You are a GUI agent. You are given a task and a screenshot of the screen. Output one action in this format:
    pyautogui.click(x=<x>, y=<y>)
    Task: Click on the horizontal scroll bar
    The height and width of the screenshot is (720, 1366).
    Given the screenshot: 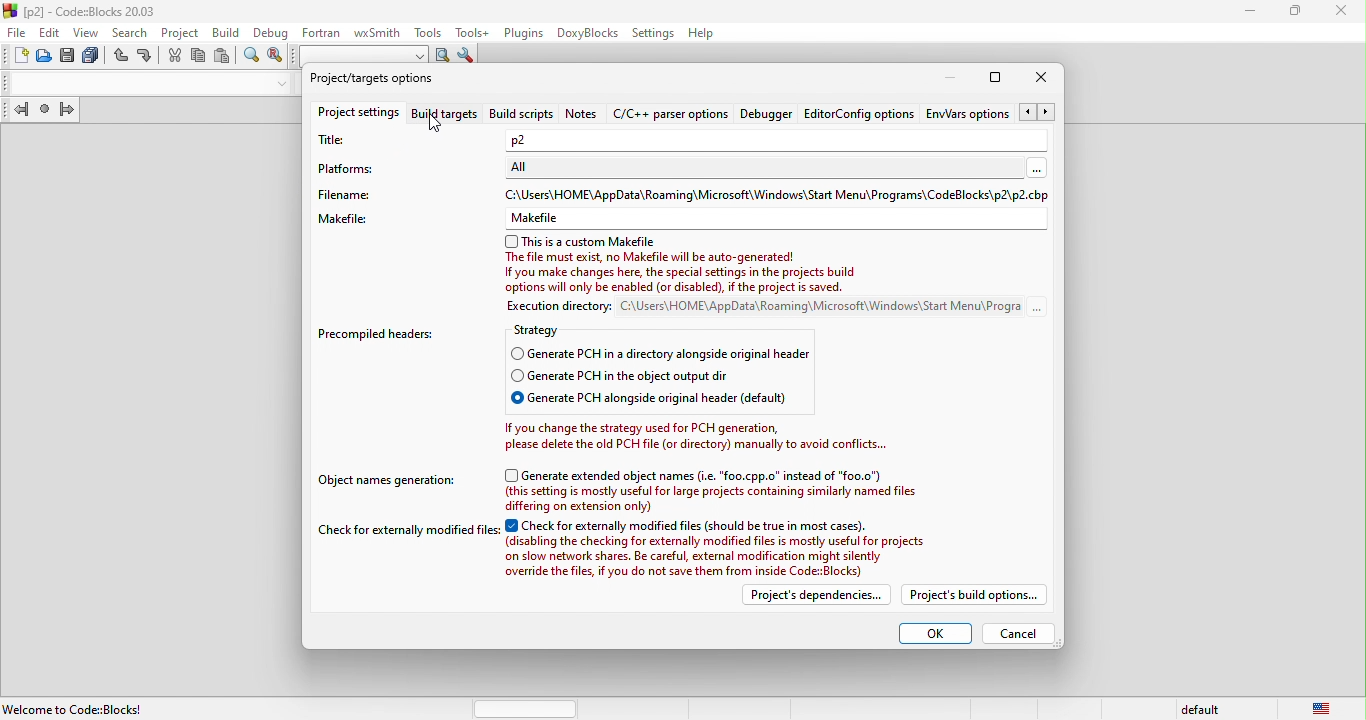 What is the action you would take?
    pyautogui.click(x=526, y=707)
    